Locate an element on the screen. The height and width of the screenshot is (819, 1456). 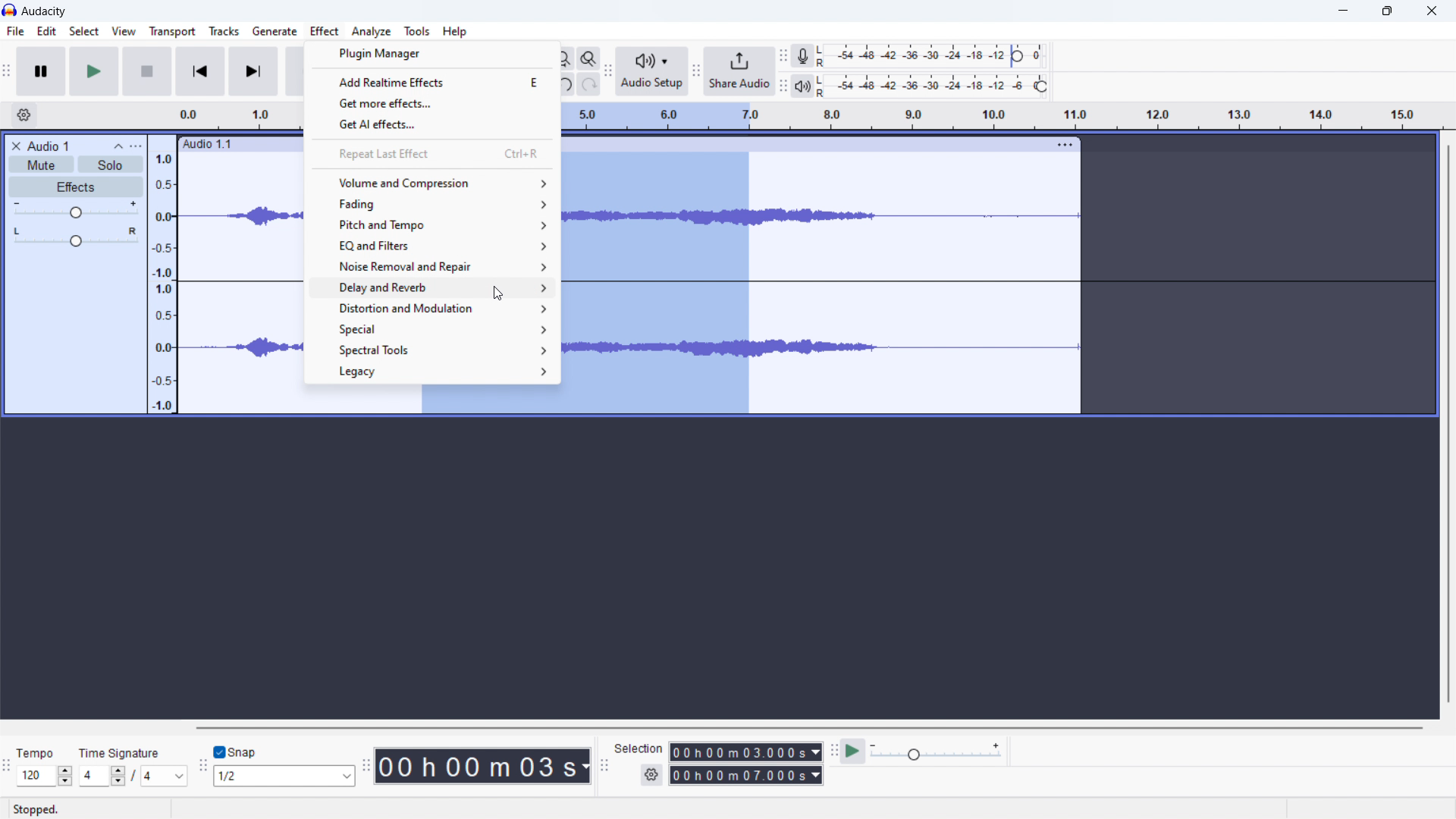
audacity is located at coordinates (45, 12).